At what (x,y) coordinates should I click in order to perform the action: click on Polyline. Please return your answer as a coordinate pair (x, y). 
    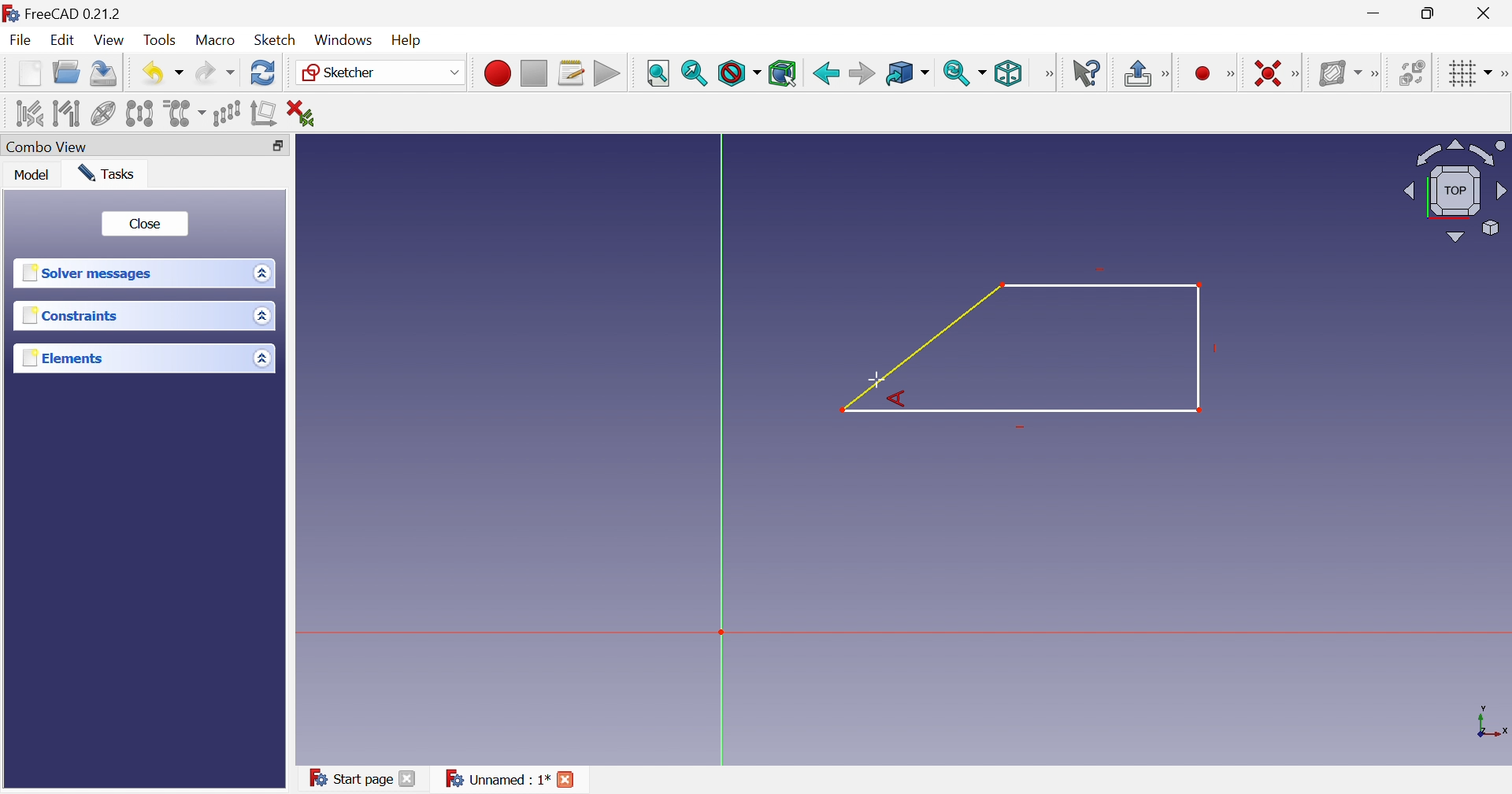
    Looking at the image, I should click on (1022, 351).